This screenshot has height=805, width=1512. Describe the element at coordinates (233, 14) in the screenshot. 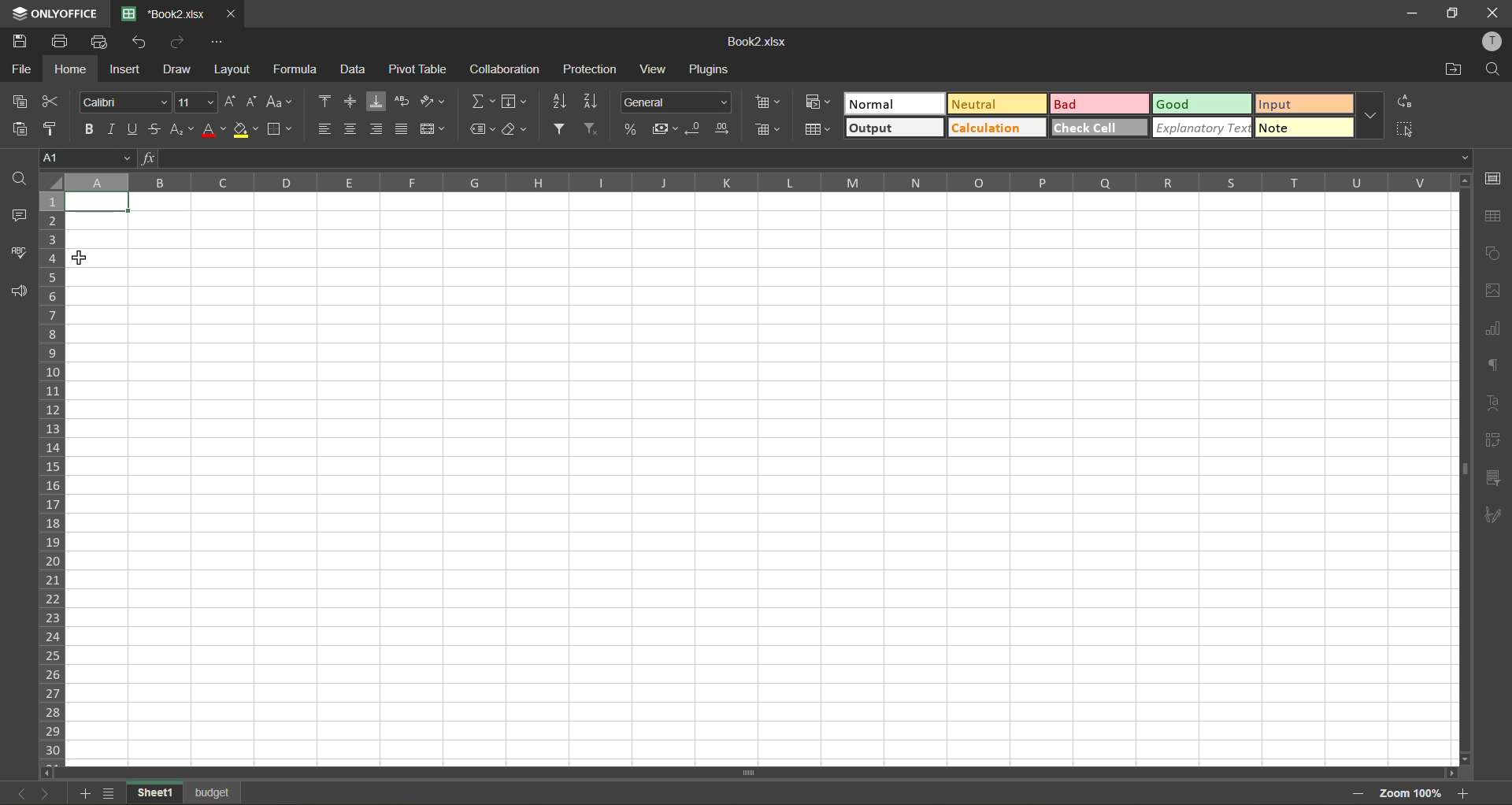

I see `close tab` at that location.